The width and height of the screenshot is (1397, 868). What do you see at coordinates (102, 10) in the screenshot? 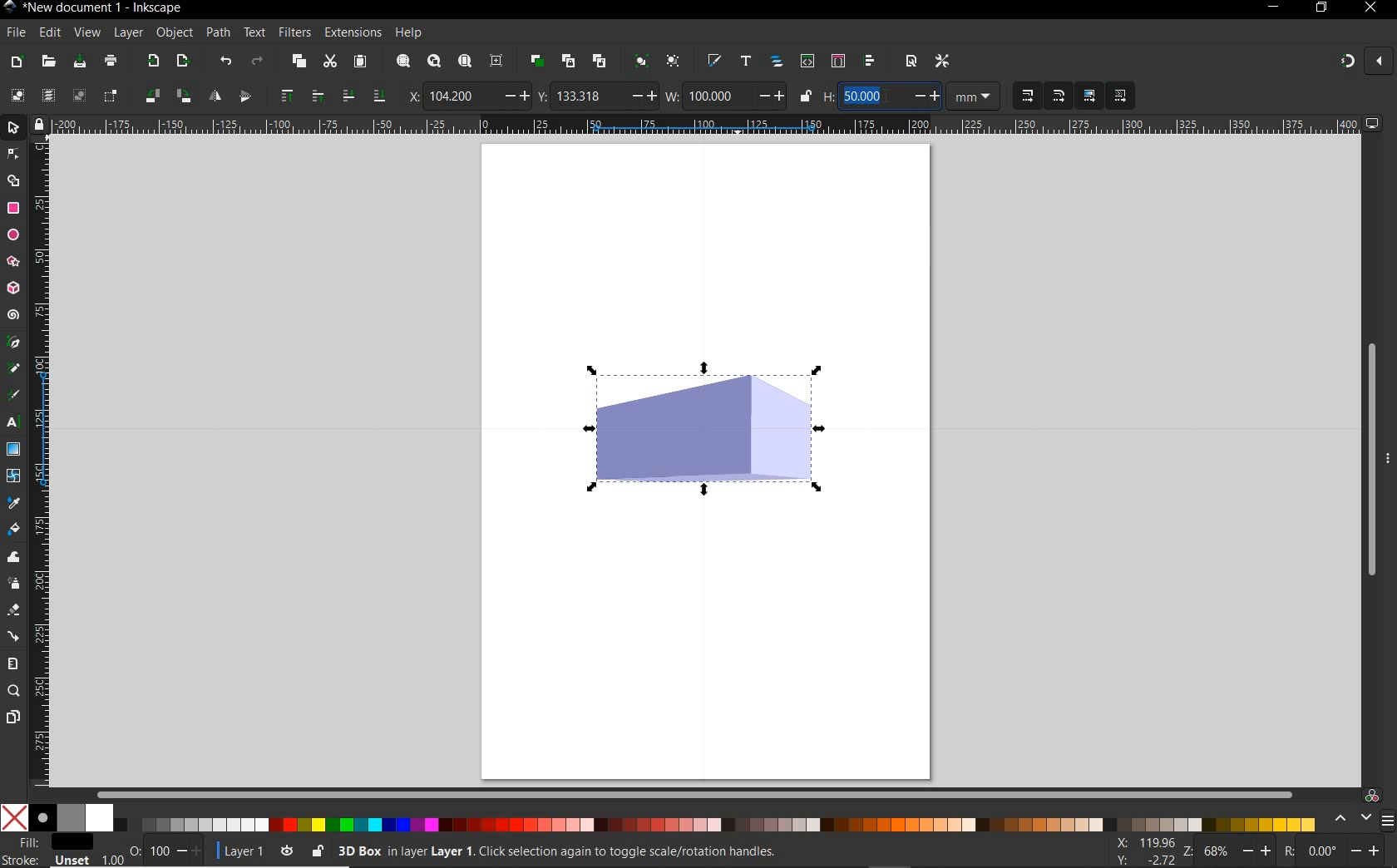
I see `title` at bounding box center [102, 10].